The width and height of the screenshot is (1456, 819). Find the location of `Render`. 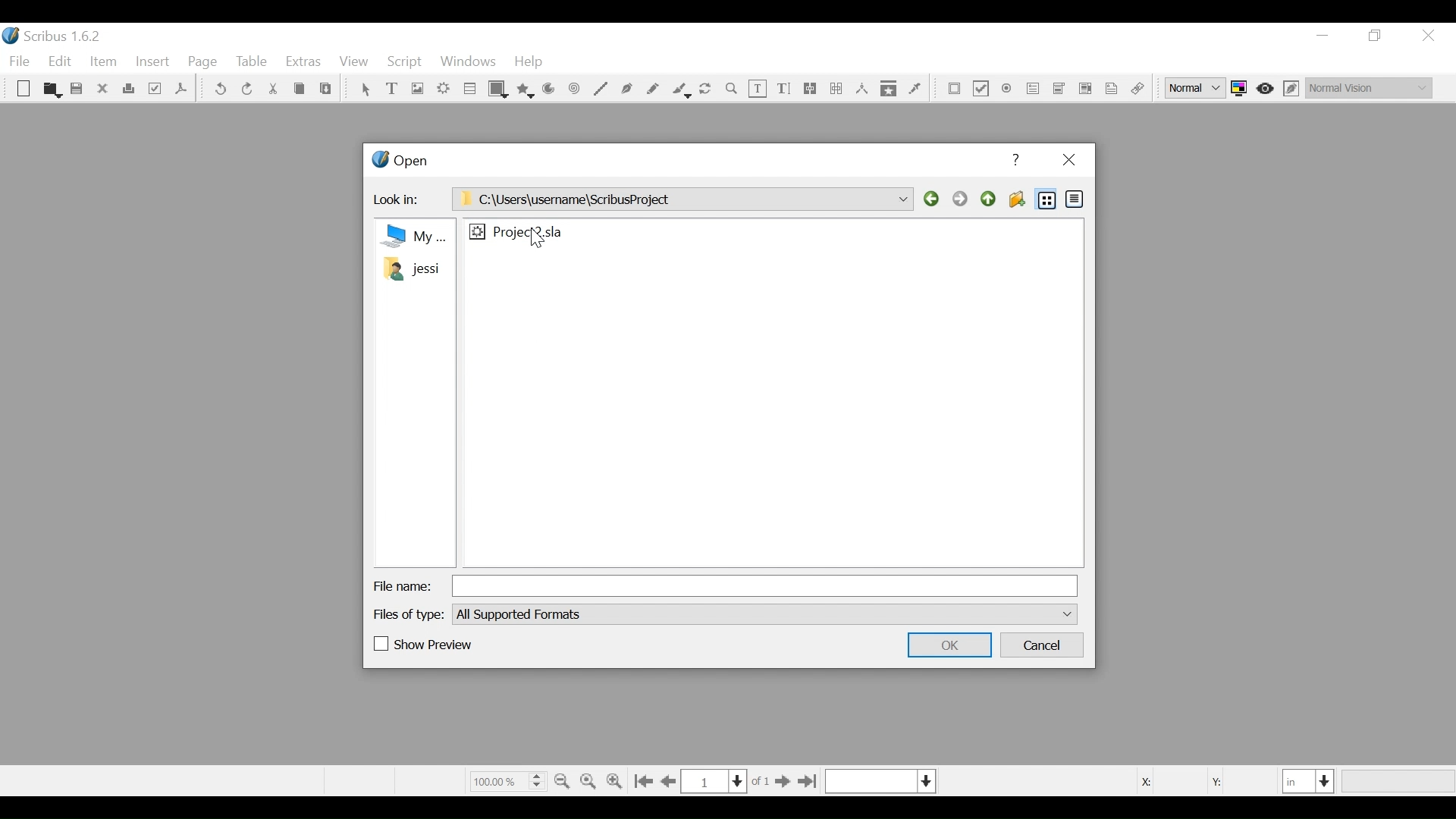

Render is located at coordinates (444, 90).